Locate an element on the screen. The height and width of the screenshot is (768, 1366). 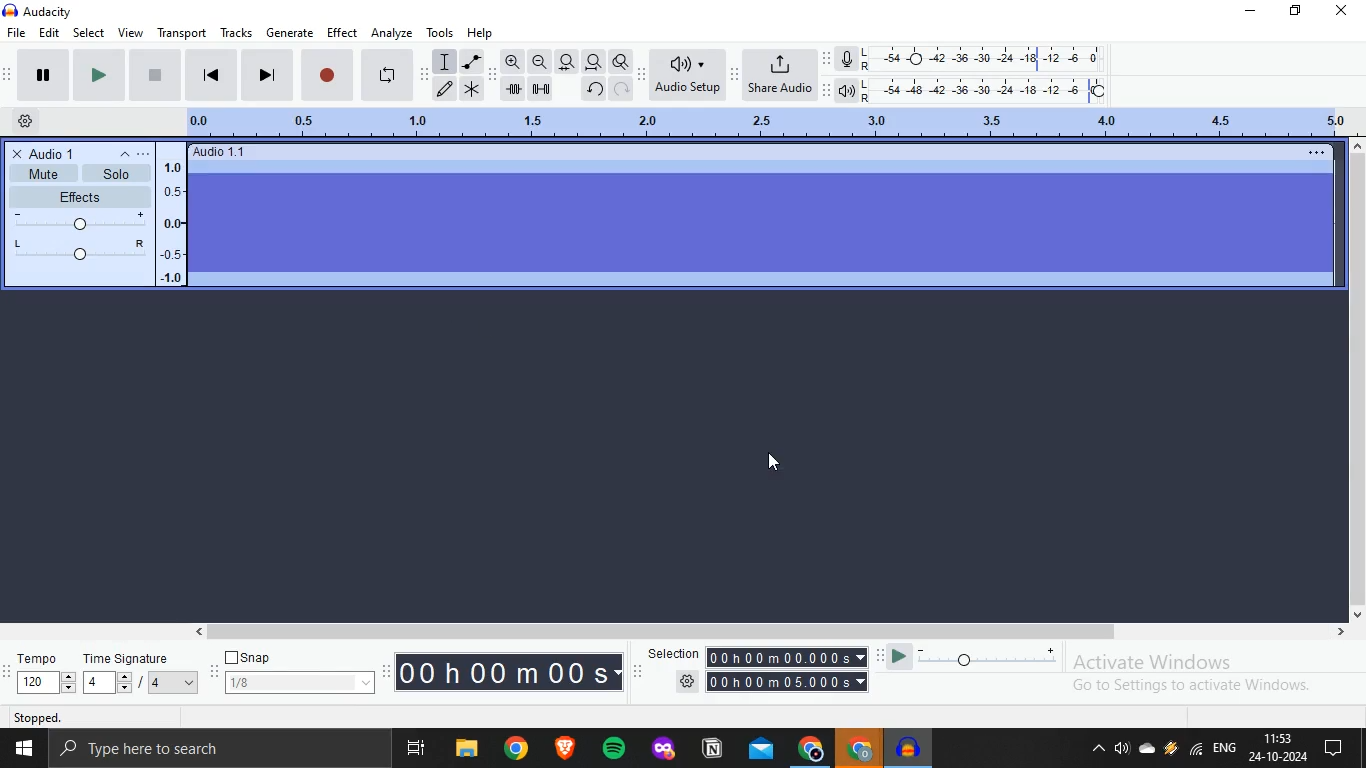
Settings is located at coordinates (767, 682).